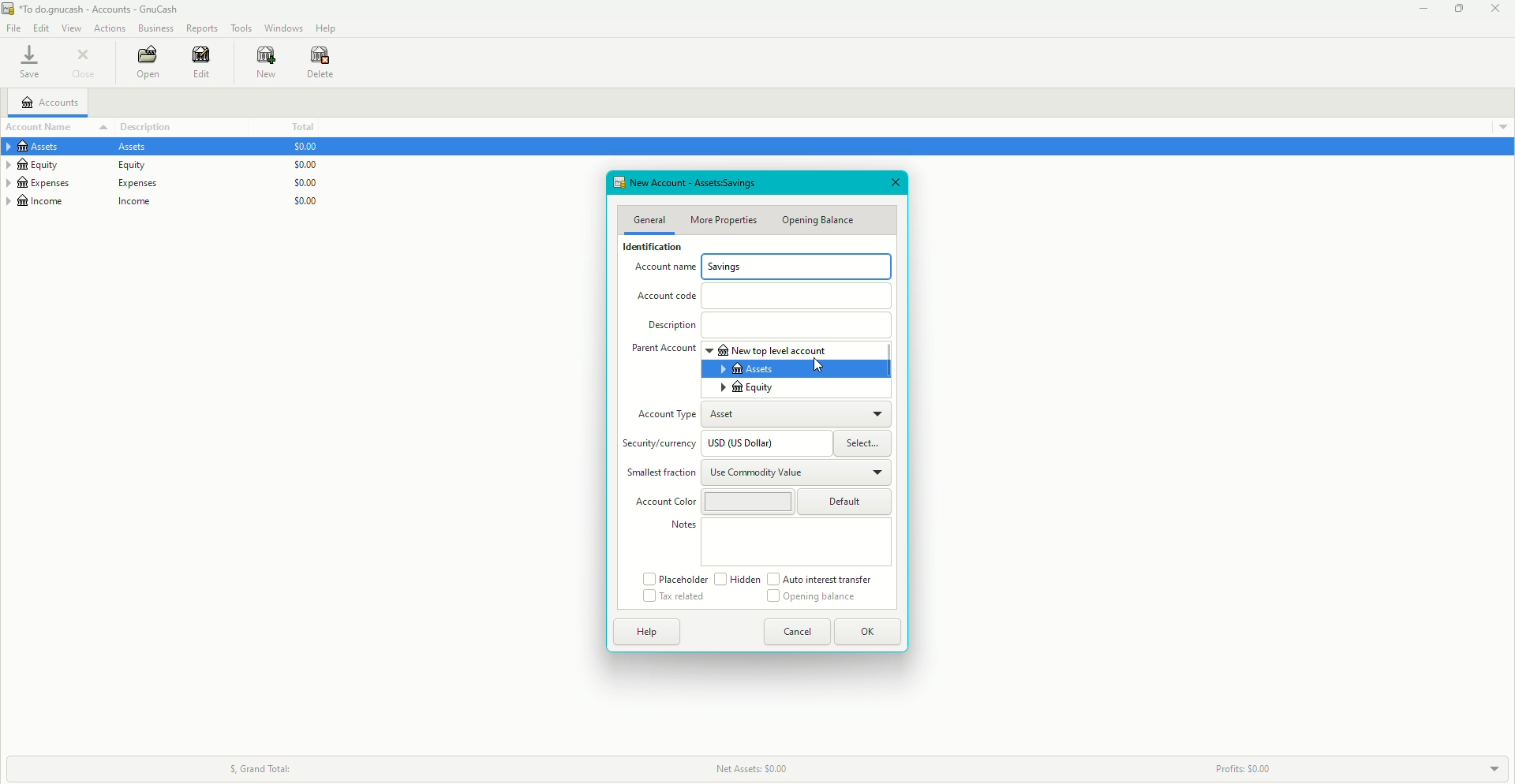 The height and width of the screenshot is (784, 1515). I want to click on More Properties, so click(726, 220).